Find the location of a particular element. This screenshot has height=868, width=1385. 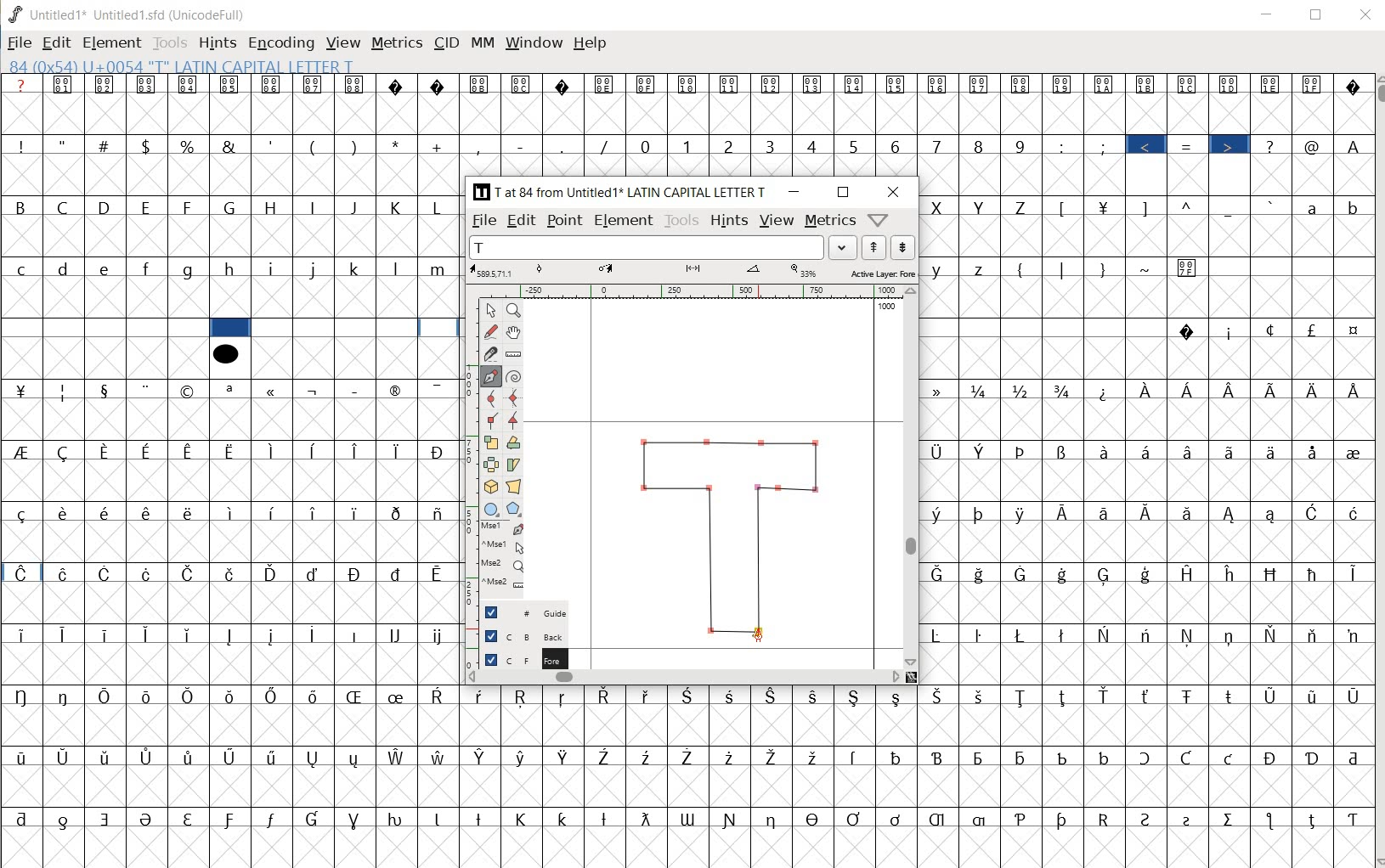

Symbol is located at coordinates (189, 511).